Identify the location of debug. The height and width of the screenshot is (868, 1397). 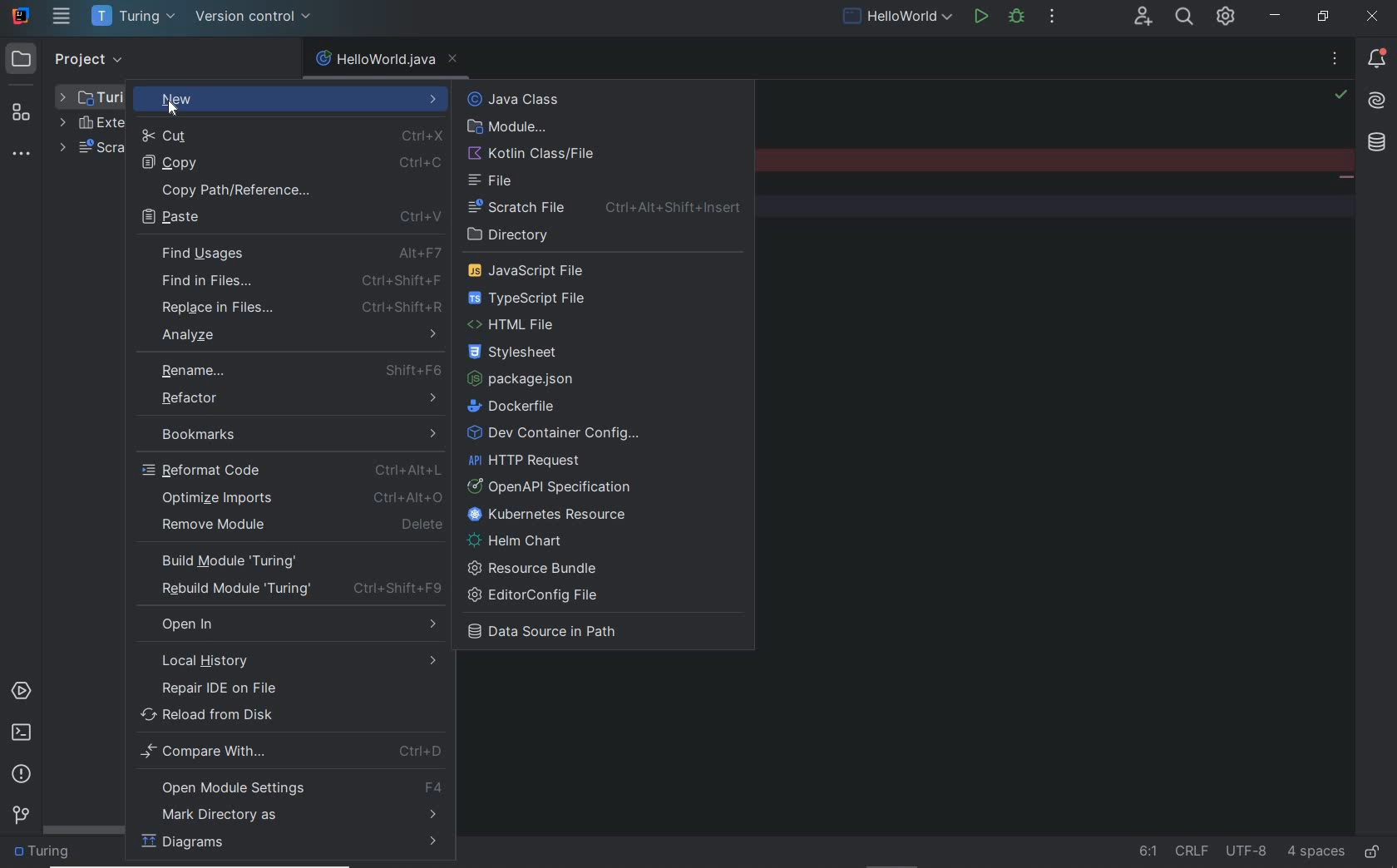
(1020, 18).